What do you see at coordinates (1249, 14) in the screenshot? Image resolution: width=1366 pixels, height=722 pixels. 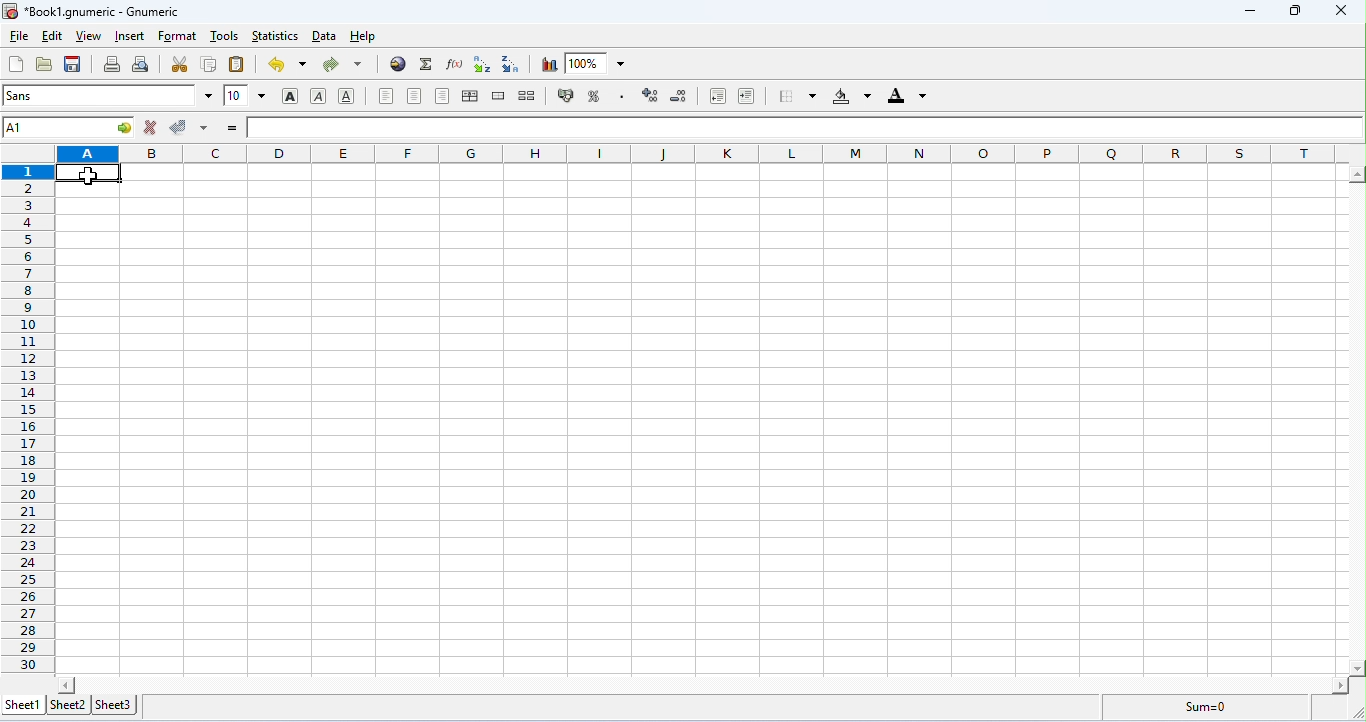 I see `minimize` at bounding box center [1249, 14].